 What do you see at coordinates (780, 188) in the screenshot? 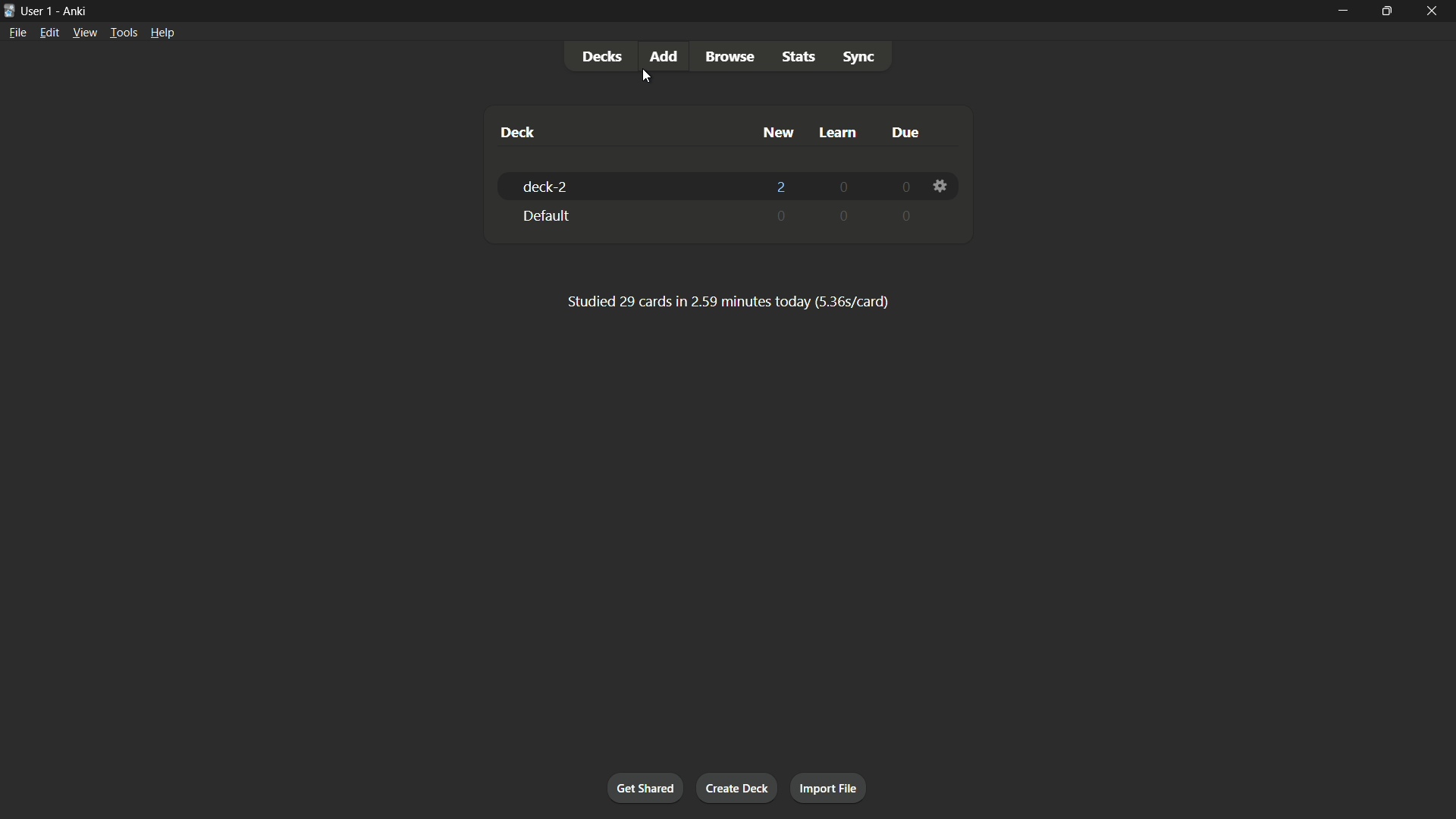
I see `2` at bounding box center [780, 188].